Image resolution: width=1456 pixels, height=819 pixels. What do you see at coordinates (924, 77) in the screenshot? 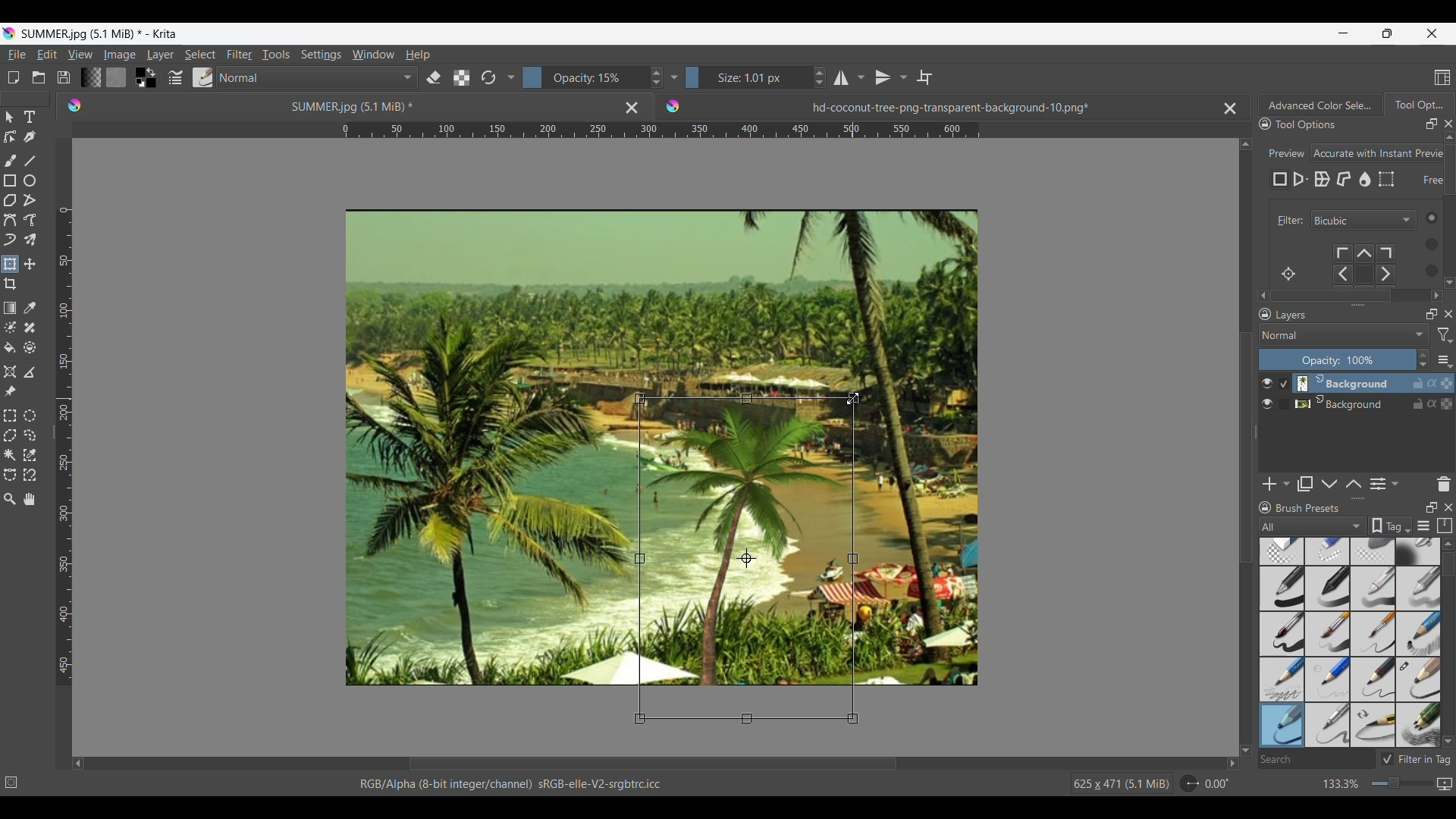
I see `Wrap around mode` at bounding box center [924, 77].